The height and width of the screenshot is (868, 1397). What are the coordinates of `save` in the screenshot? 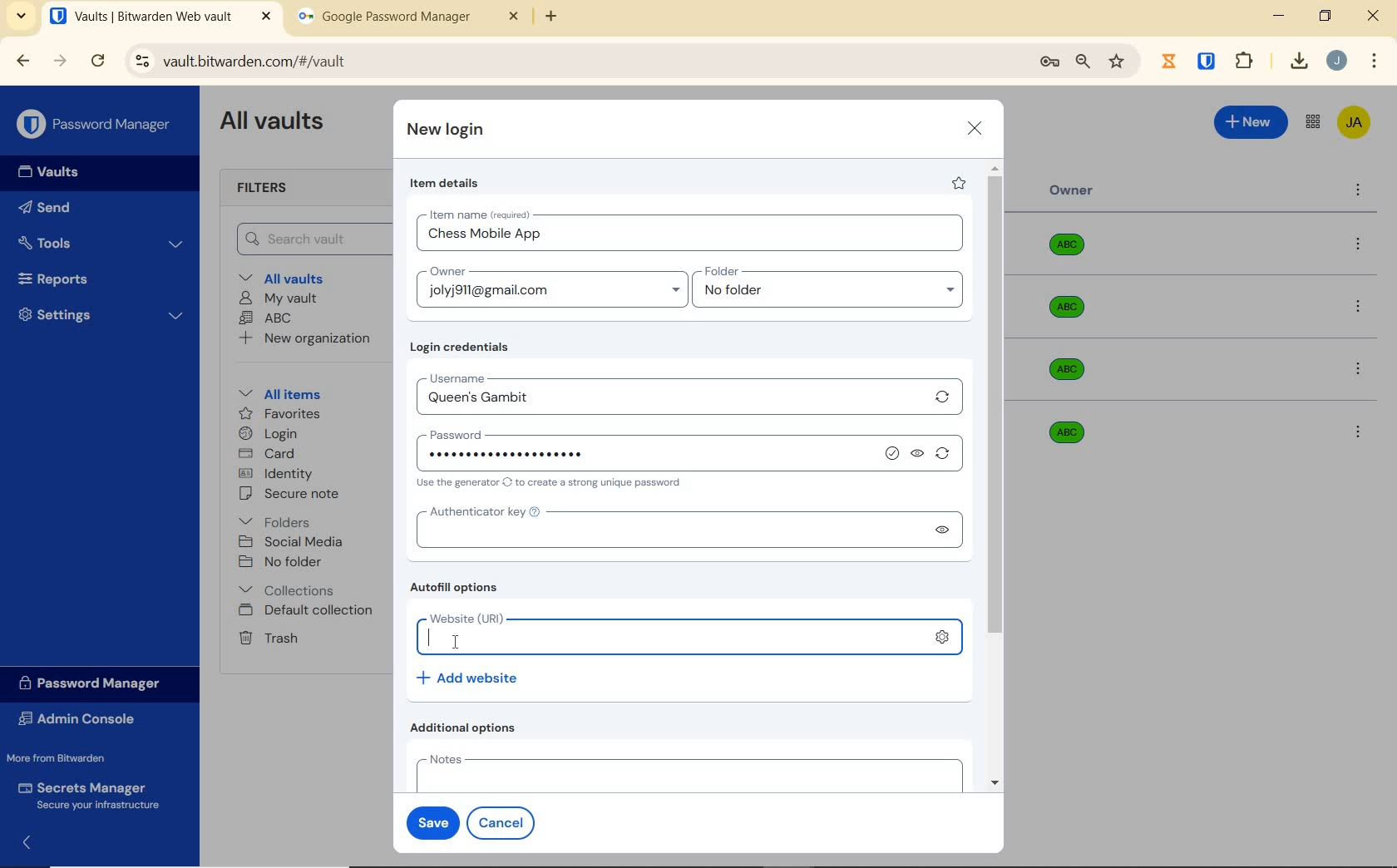 It's located at (429, 821).